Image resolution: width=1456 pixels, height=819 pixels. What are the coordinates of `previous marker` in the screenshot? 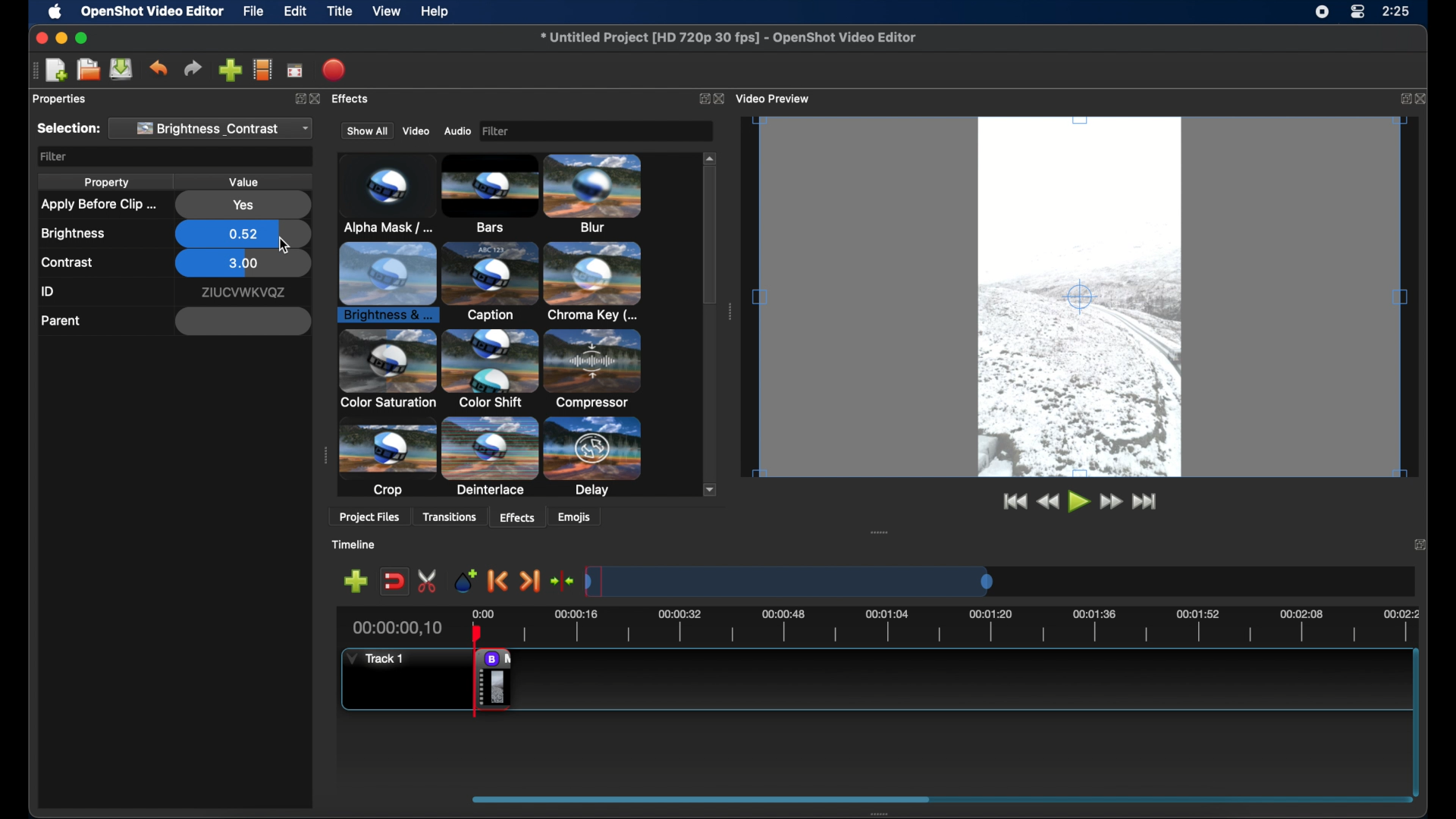 It's located at (496, 580).